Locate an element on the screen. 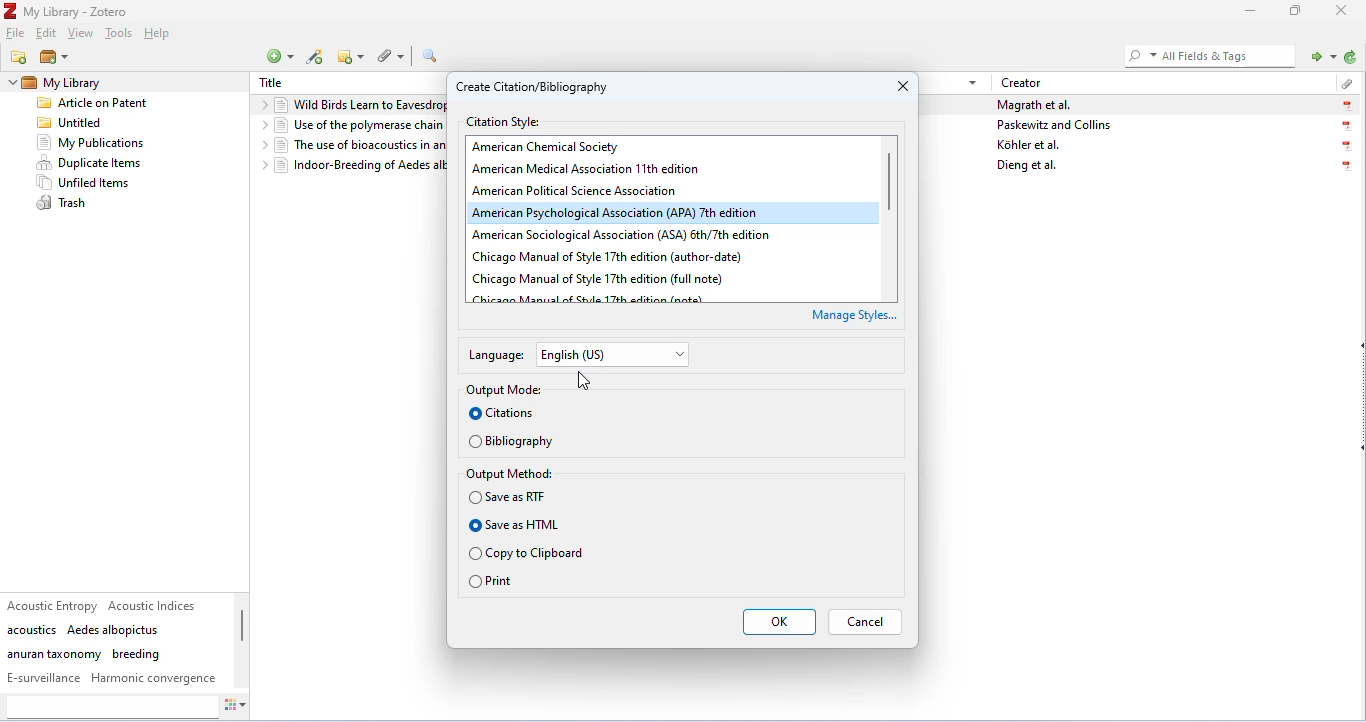  Acoustic Entropy Acoustic Indices is located at coordinates (105, 605).